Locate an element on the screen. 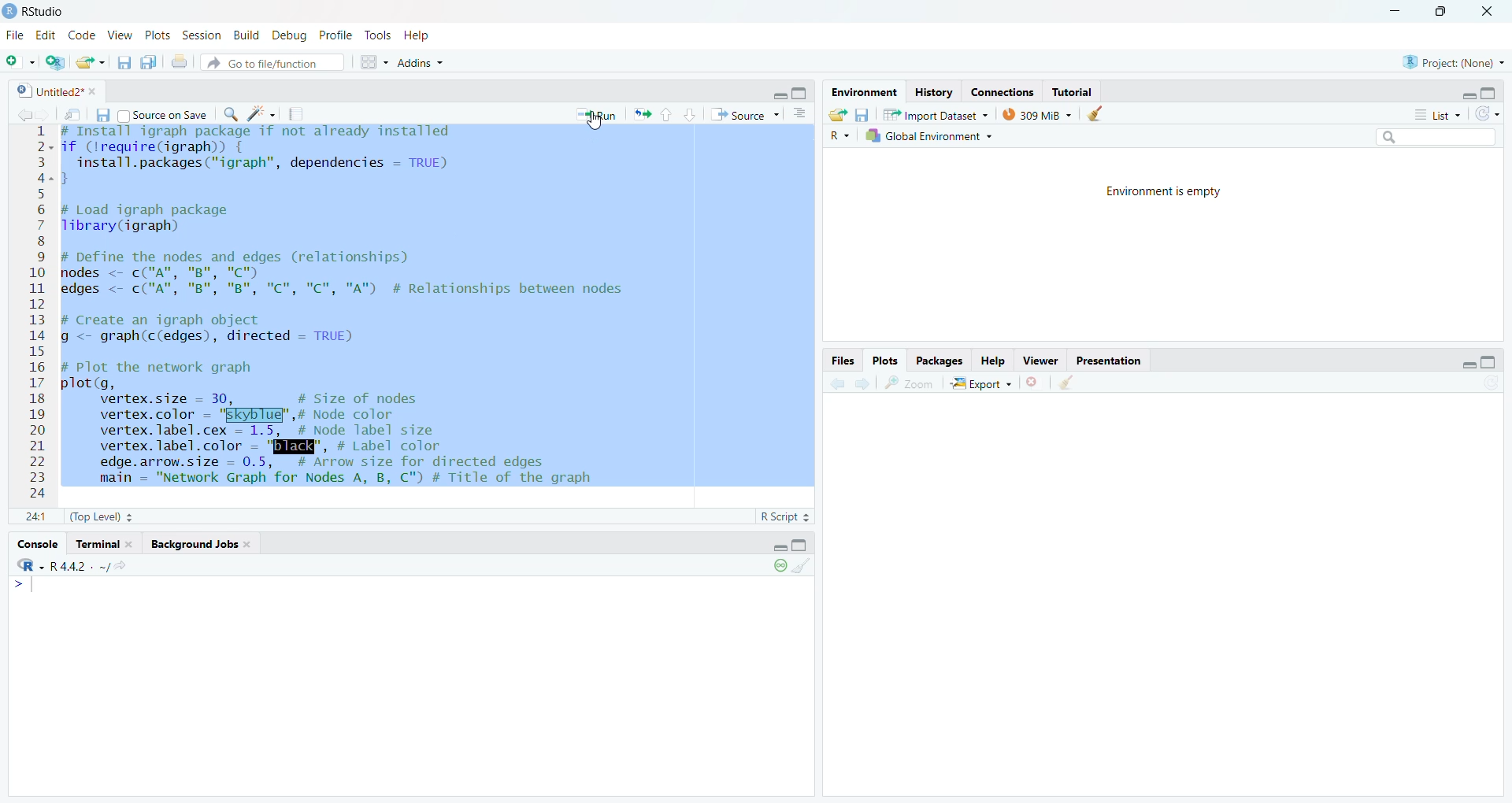 The height and width of the screenshot is (803, 1512). Plots is located at coordinates (882, 356).